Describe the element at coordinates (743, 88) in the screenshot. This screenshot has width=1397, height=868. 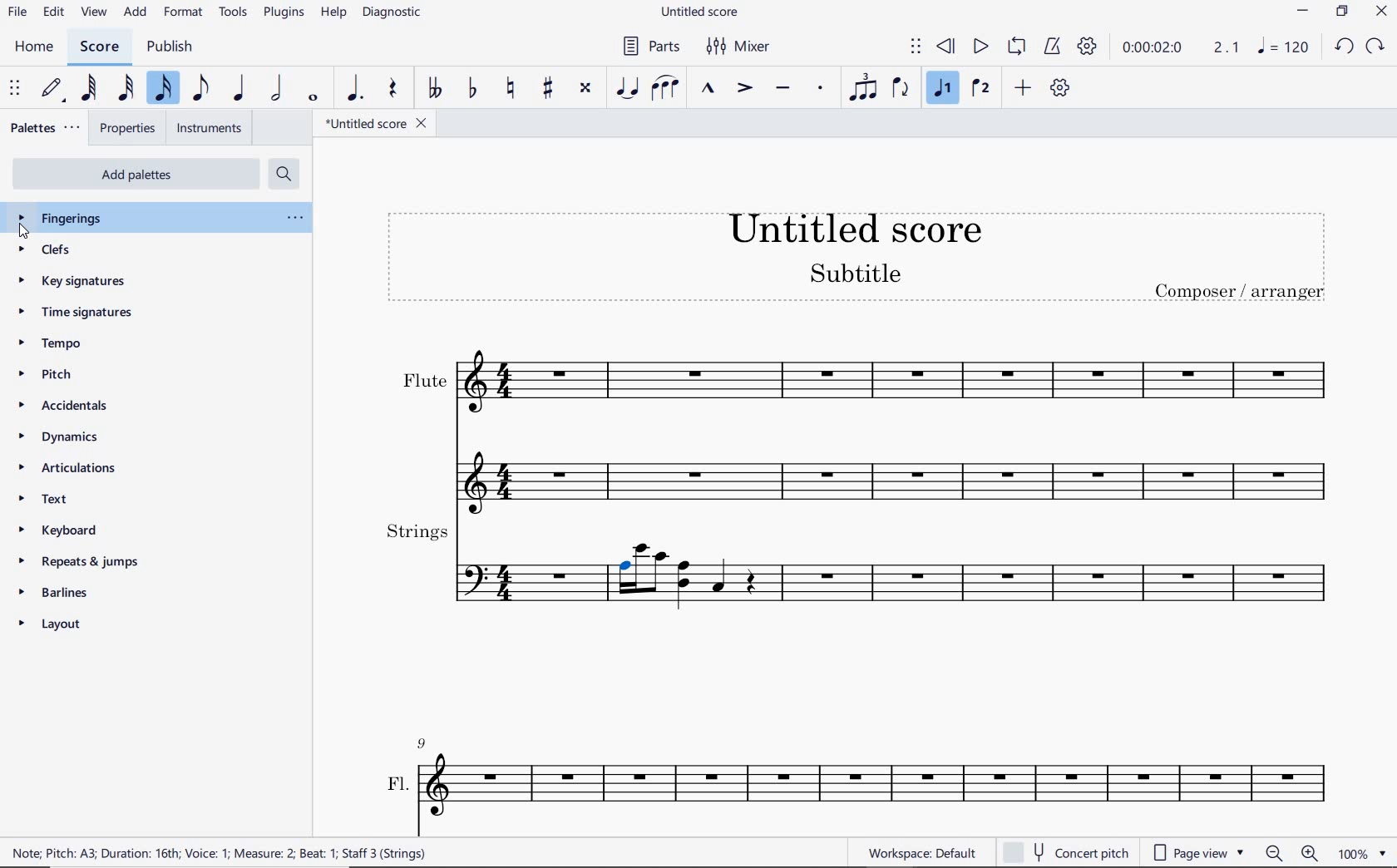
I see `accent` at that location.